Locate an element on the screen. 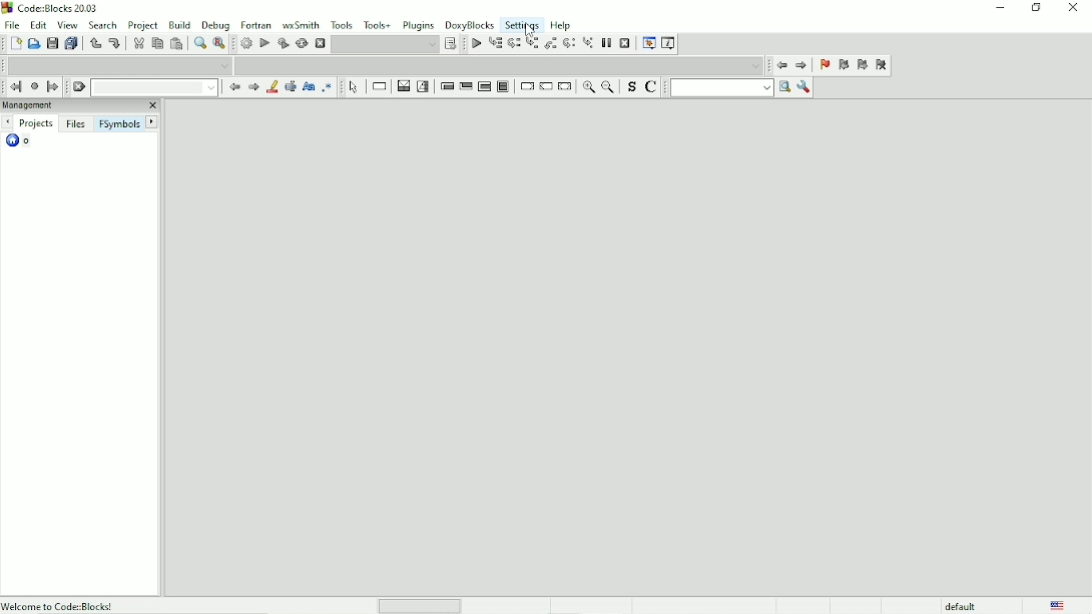 This screenshot has height=614, width=1092. Copy is located at coordinates (157, 44).